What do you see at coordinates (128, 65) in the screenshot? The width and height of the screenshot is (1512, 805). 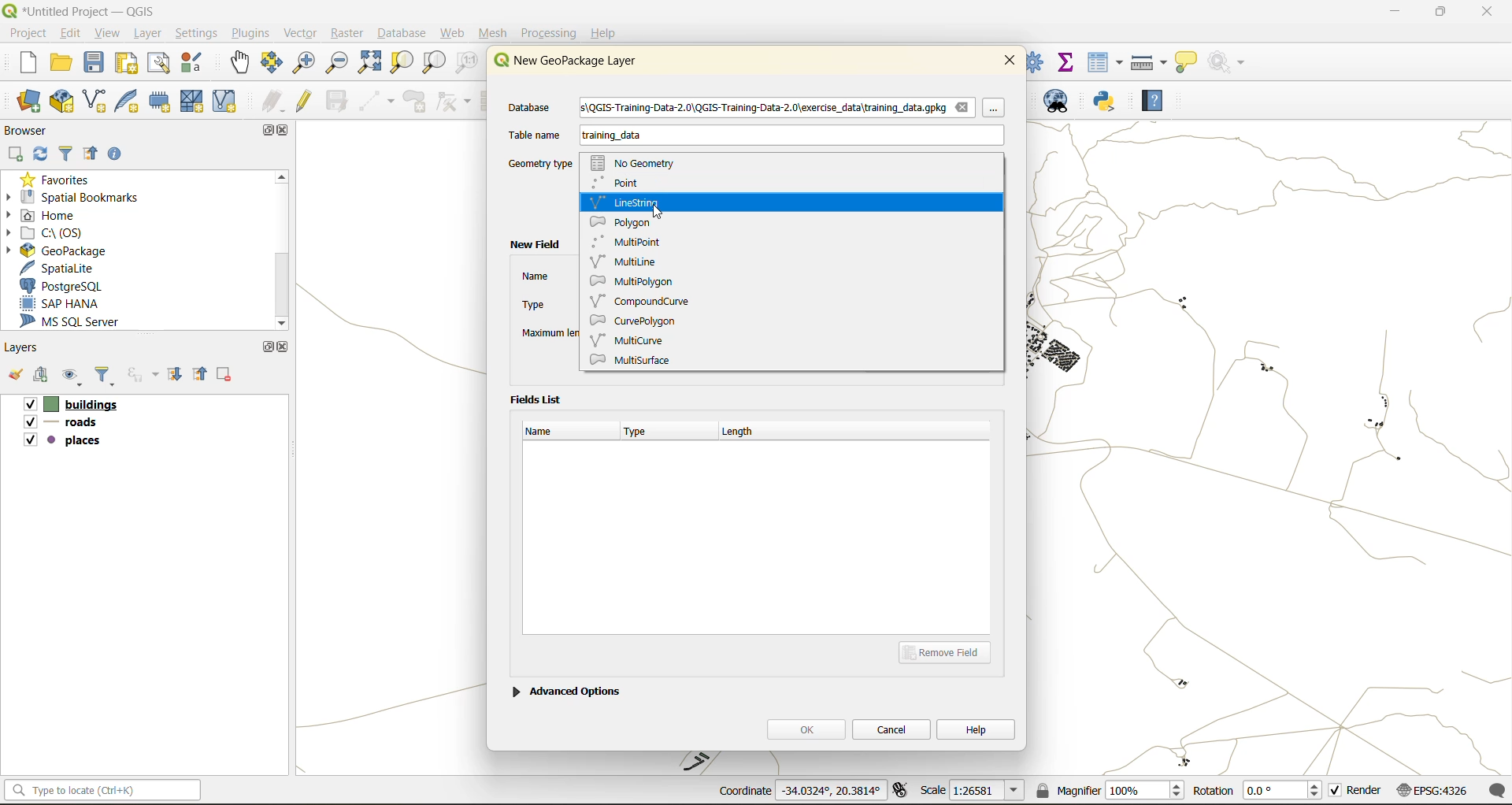 I see `print layout` at bounding box center [128, 65].